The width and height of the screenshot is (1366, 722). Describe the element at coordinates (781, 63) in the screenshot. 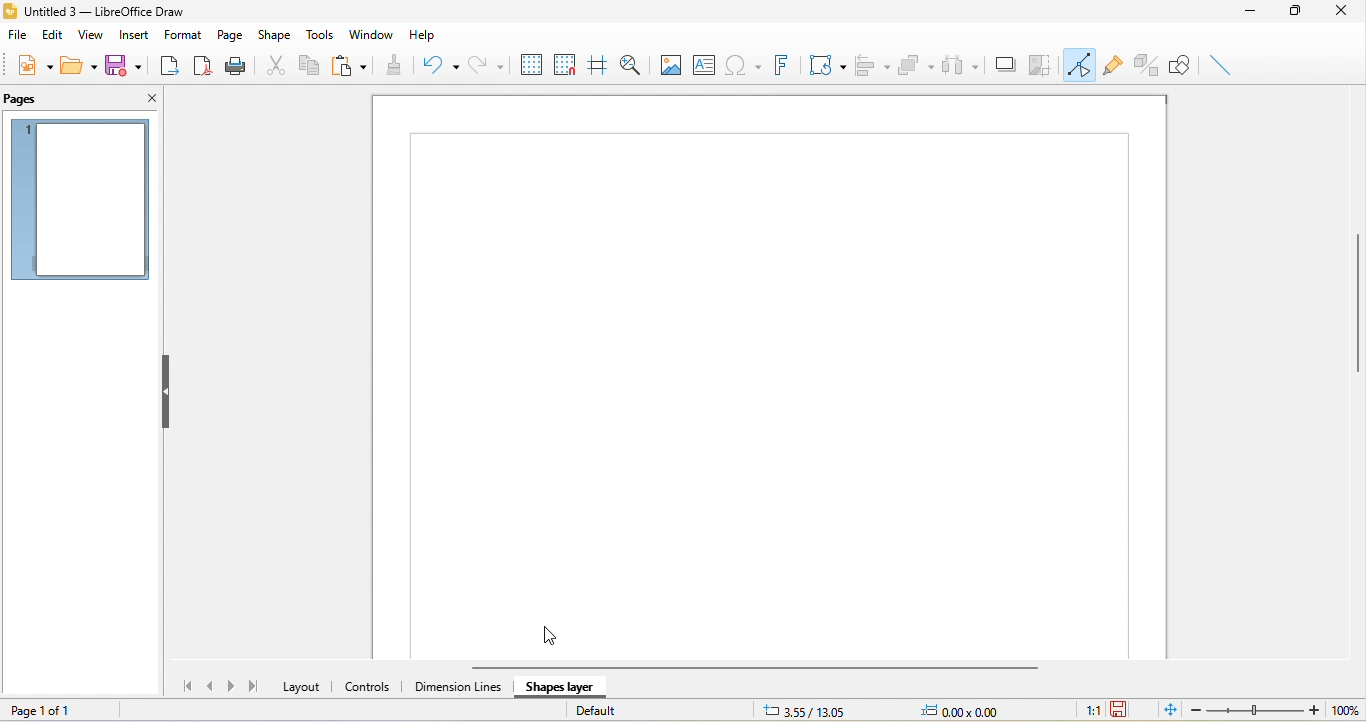

I see `font work text` at that location.